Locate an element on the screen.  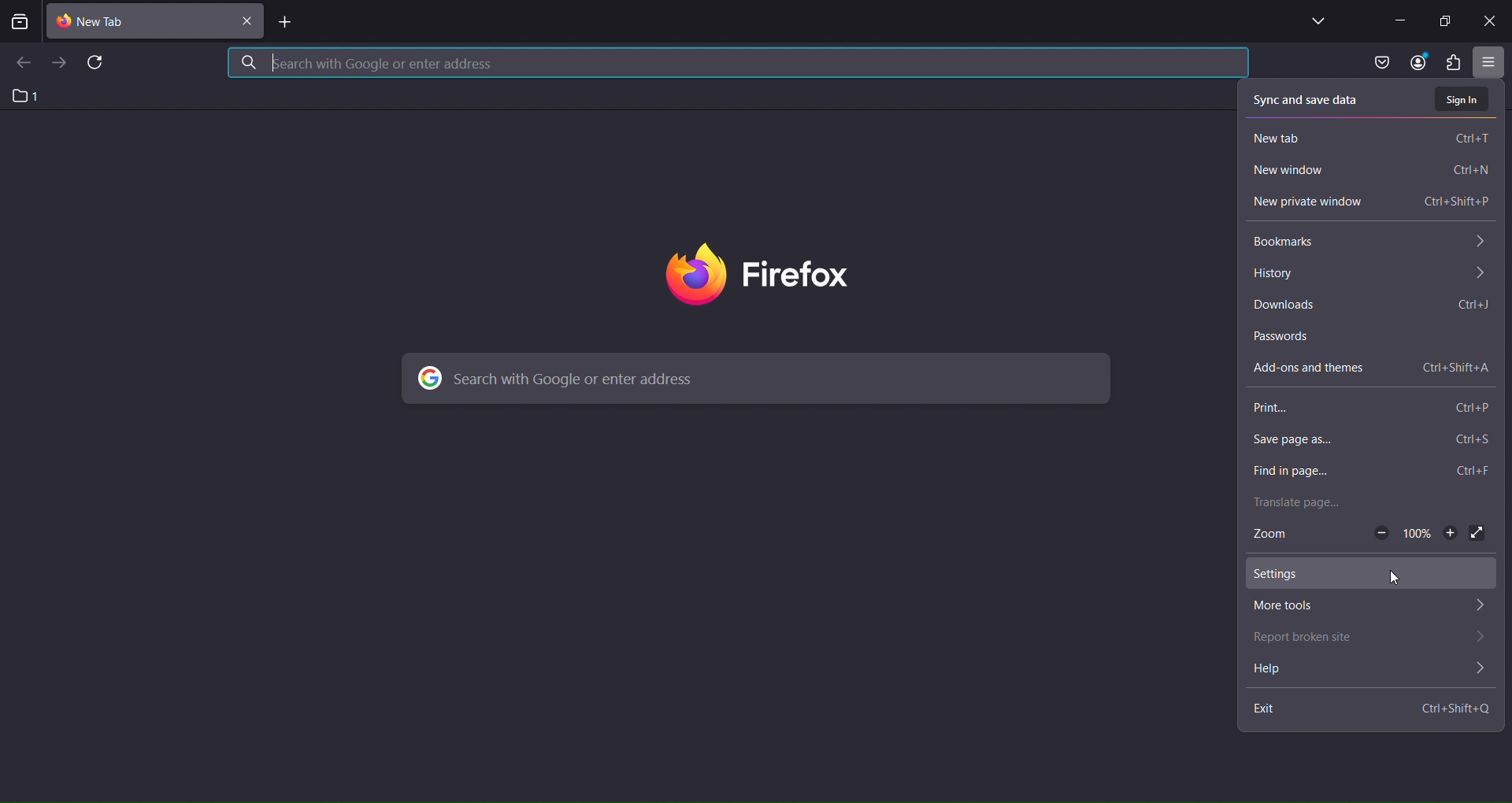
report broken site is located at coordinates (1371, 639).